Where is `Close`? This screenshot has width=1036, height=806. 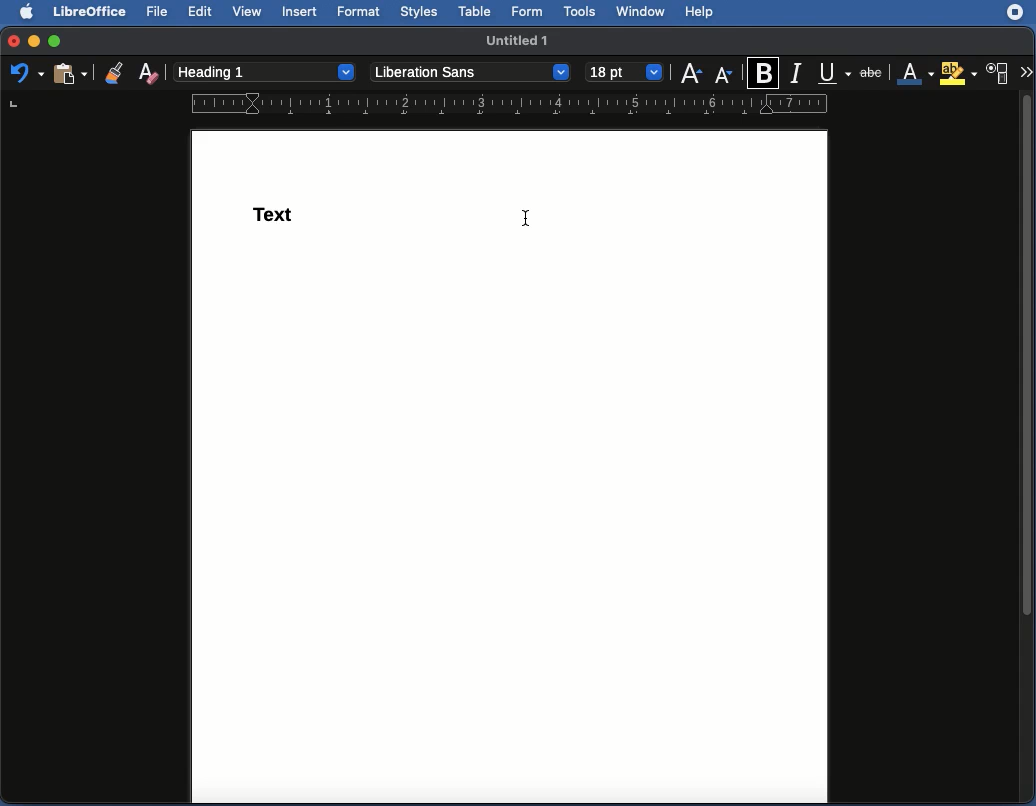 Close is located at coordinates (12, 41).